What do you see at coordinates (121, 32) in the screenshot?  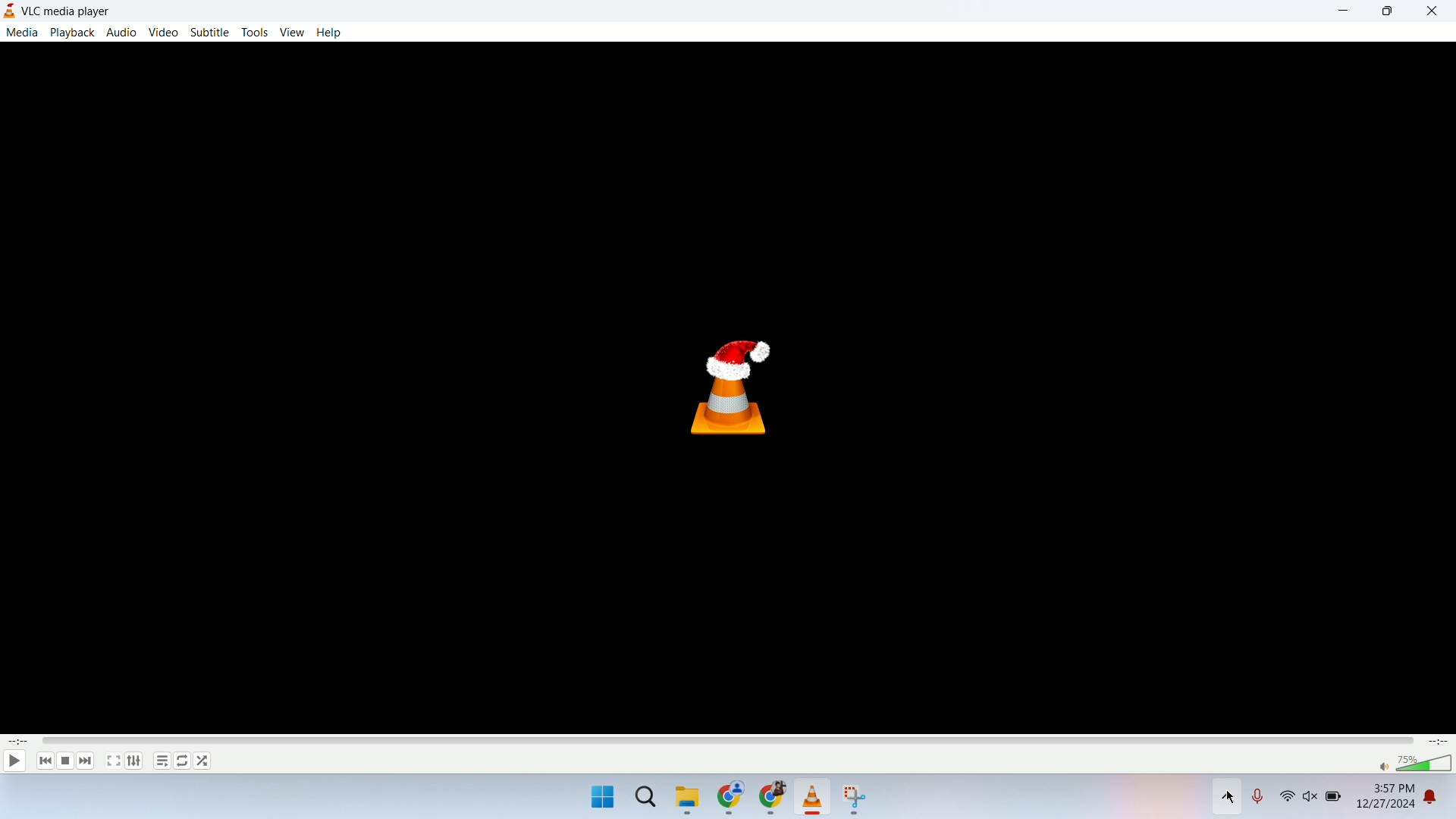 I see `audio` at bounding box center [121, 32].